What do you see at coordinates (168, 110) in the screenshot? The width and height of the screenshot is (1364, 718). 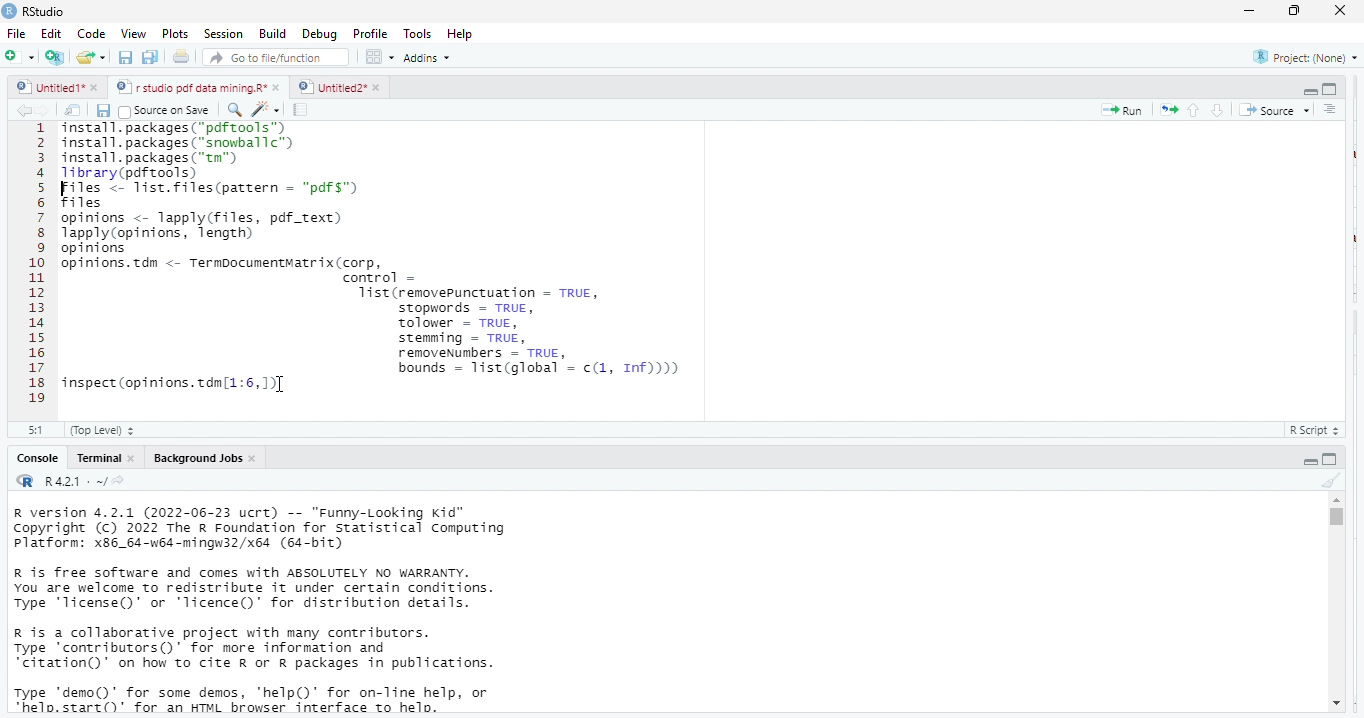 I see `source on save` at bounding box center [168, 110].